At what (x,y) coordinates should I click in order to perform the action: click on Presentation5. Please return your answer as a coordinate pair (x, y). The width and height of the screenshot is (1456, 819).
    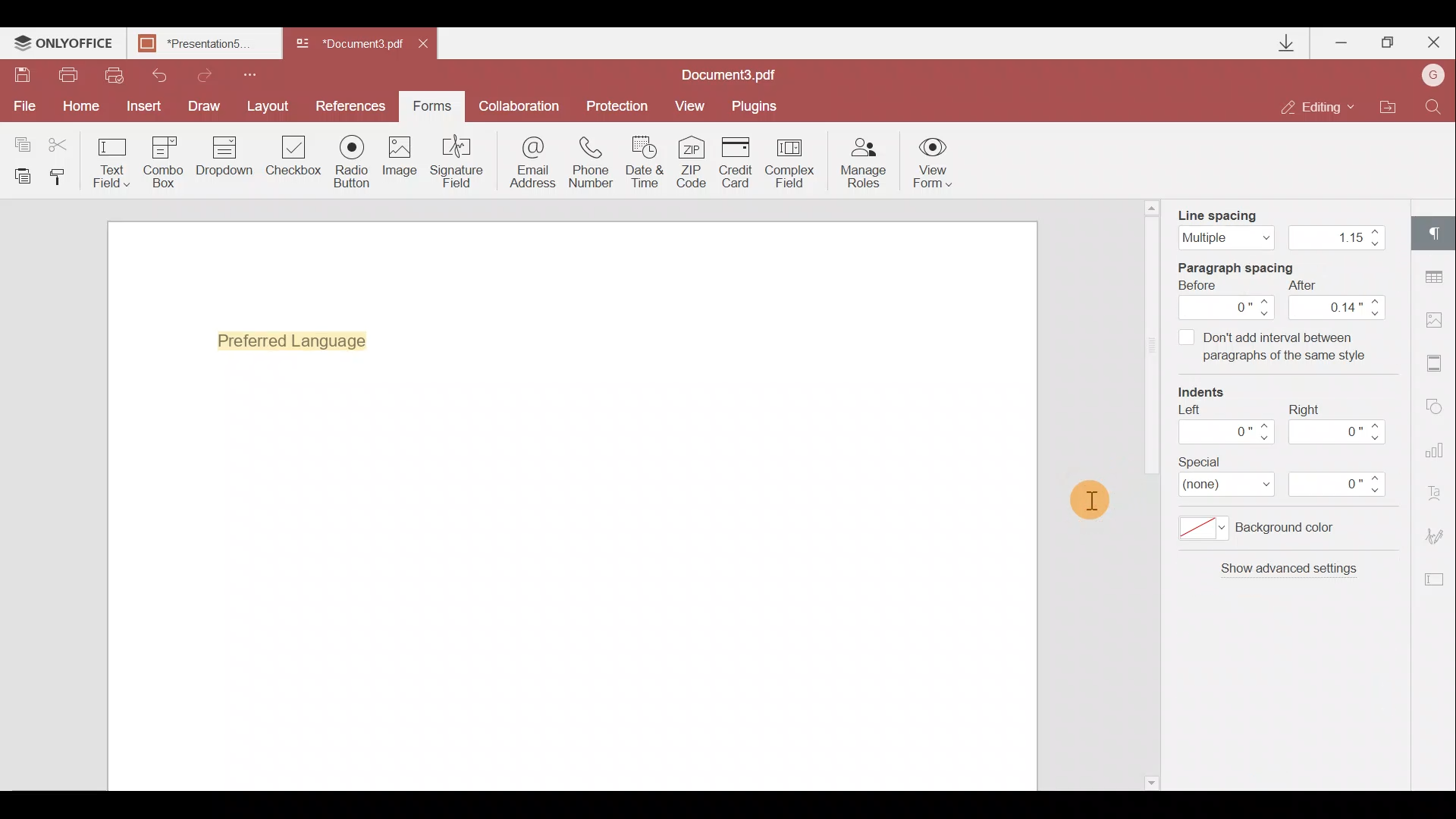
    Looking at the image, I should click on (201, 45).